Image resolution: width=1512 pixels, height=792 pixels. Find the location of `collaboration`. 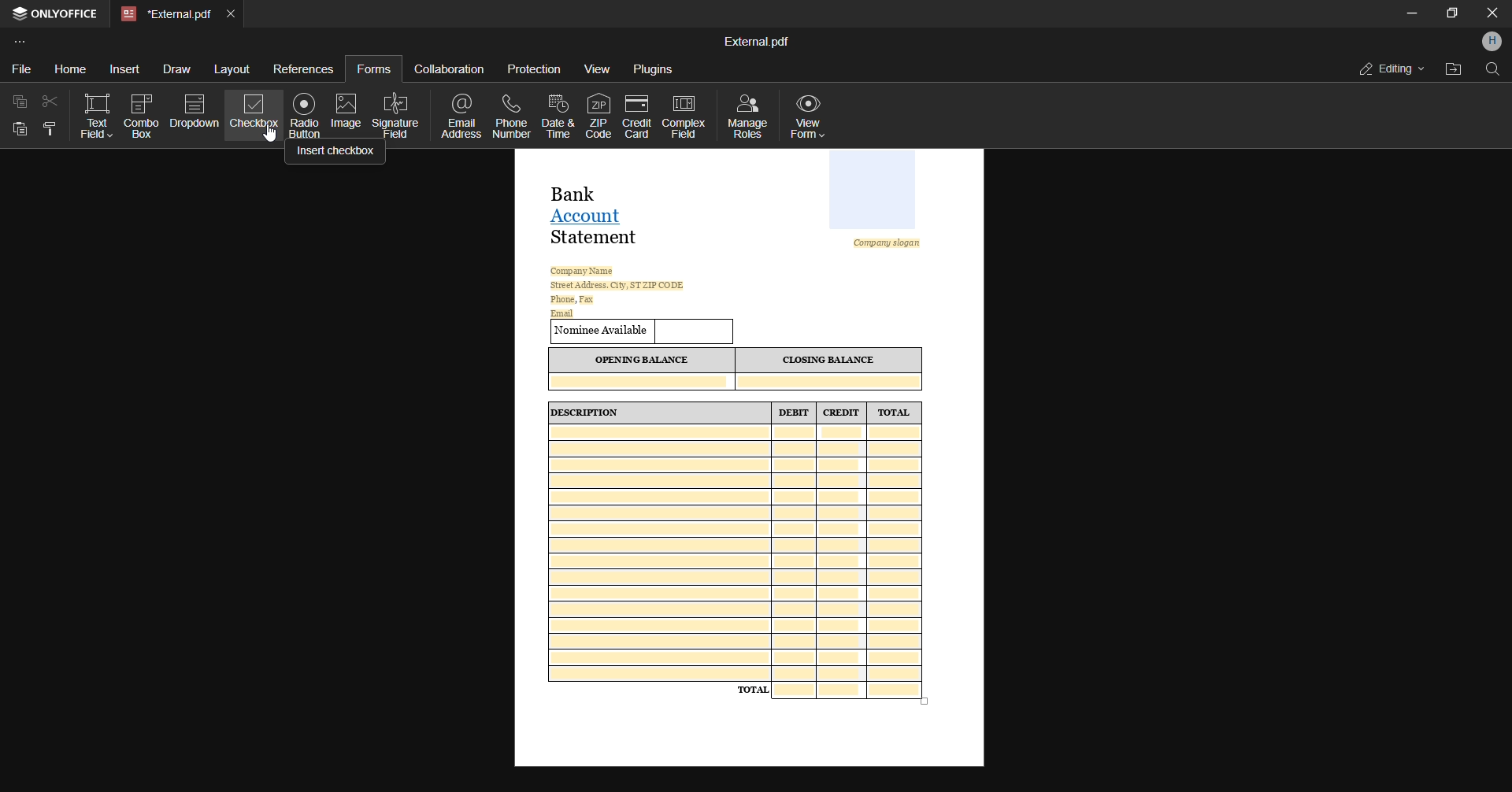

collaboration is located at coordinates (449, 68).